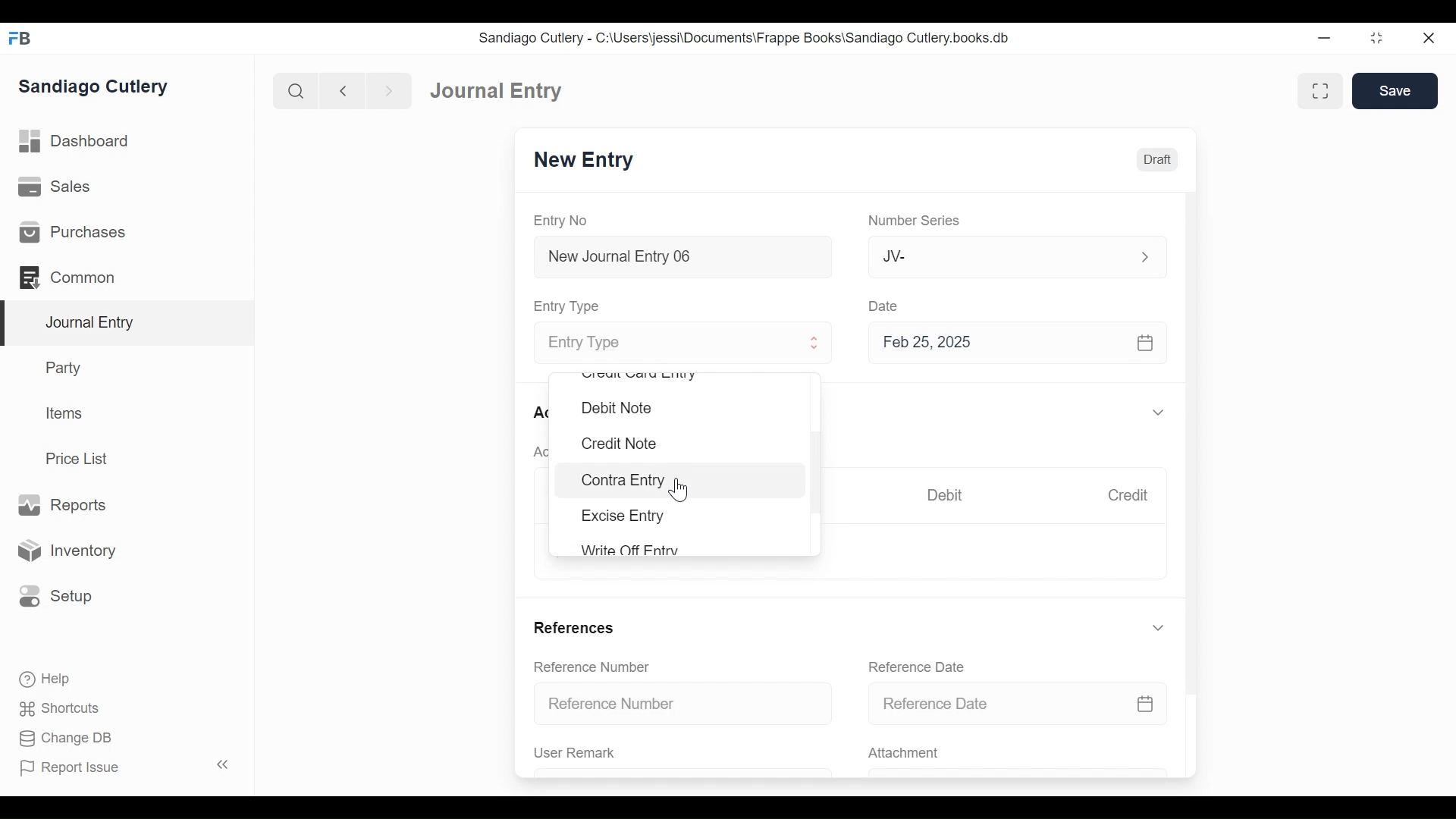 This screenshot has width=1456, height=819. Describe the element at coordinates (96, 87) in the screenshot. I see `Sandiago Cutlery` at that location.